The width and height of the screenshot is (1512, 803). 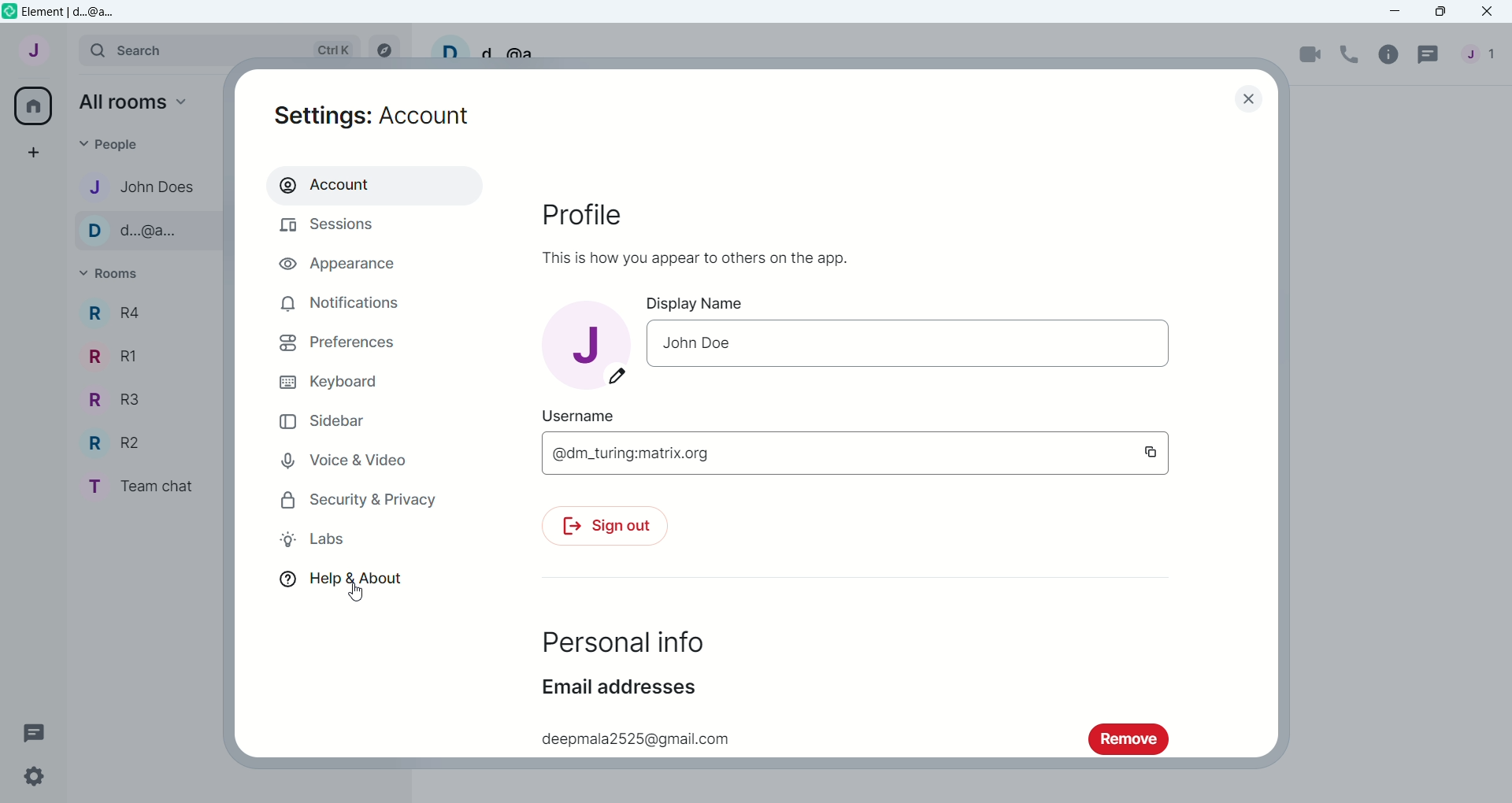 I want to click on minimize, so click(x=1398, y=12).